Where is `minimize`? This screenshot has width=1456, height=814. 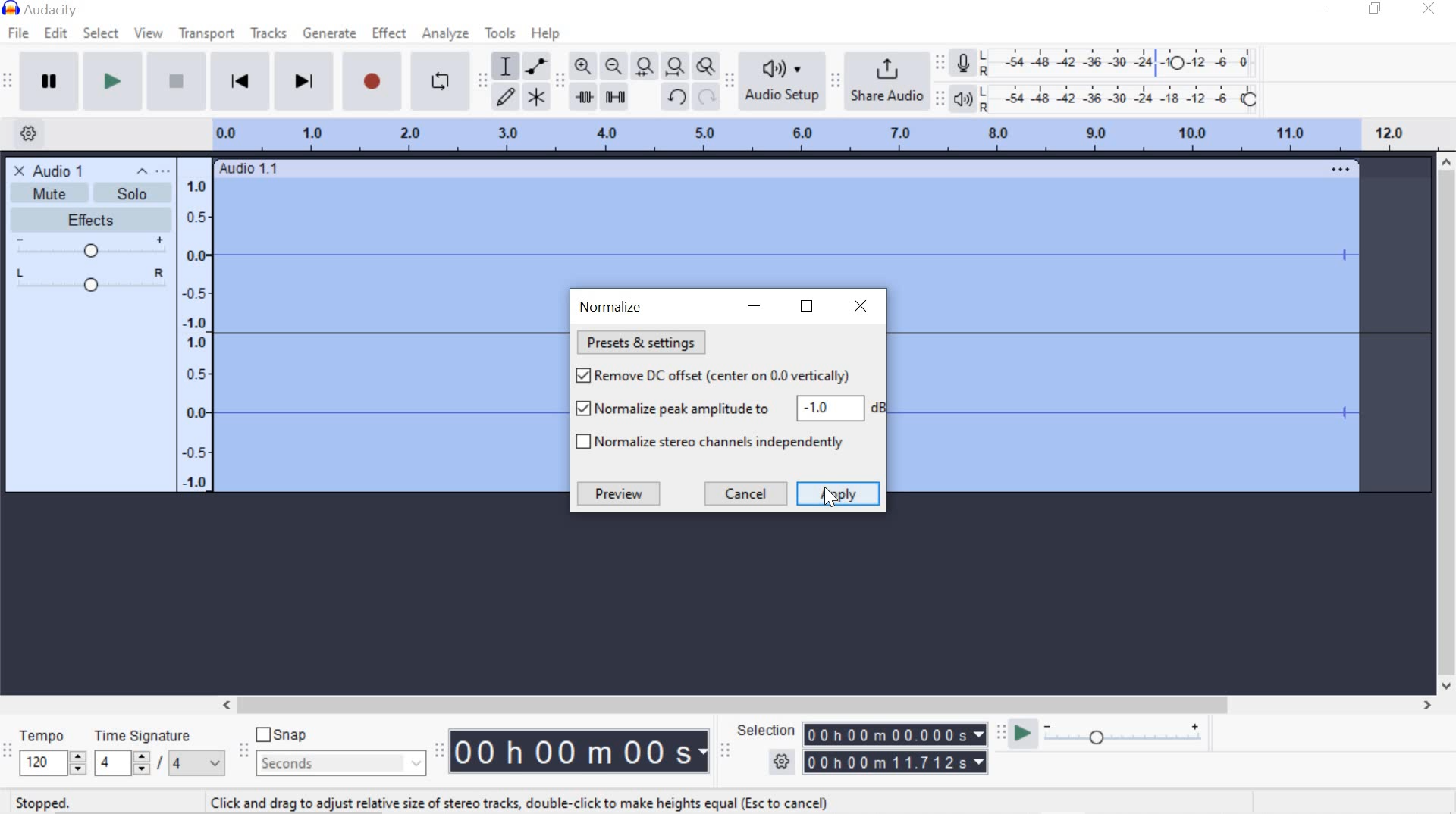
minimize is located at coordinates (755, 306).